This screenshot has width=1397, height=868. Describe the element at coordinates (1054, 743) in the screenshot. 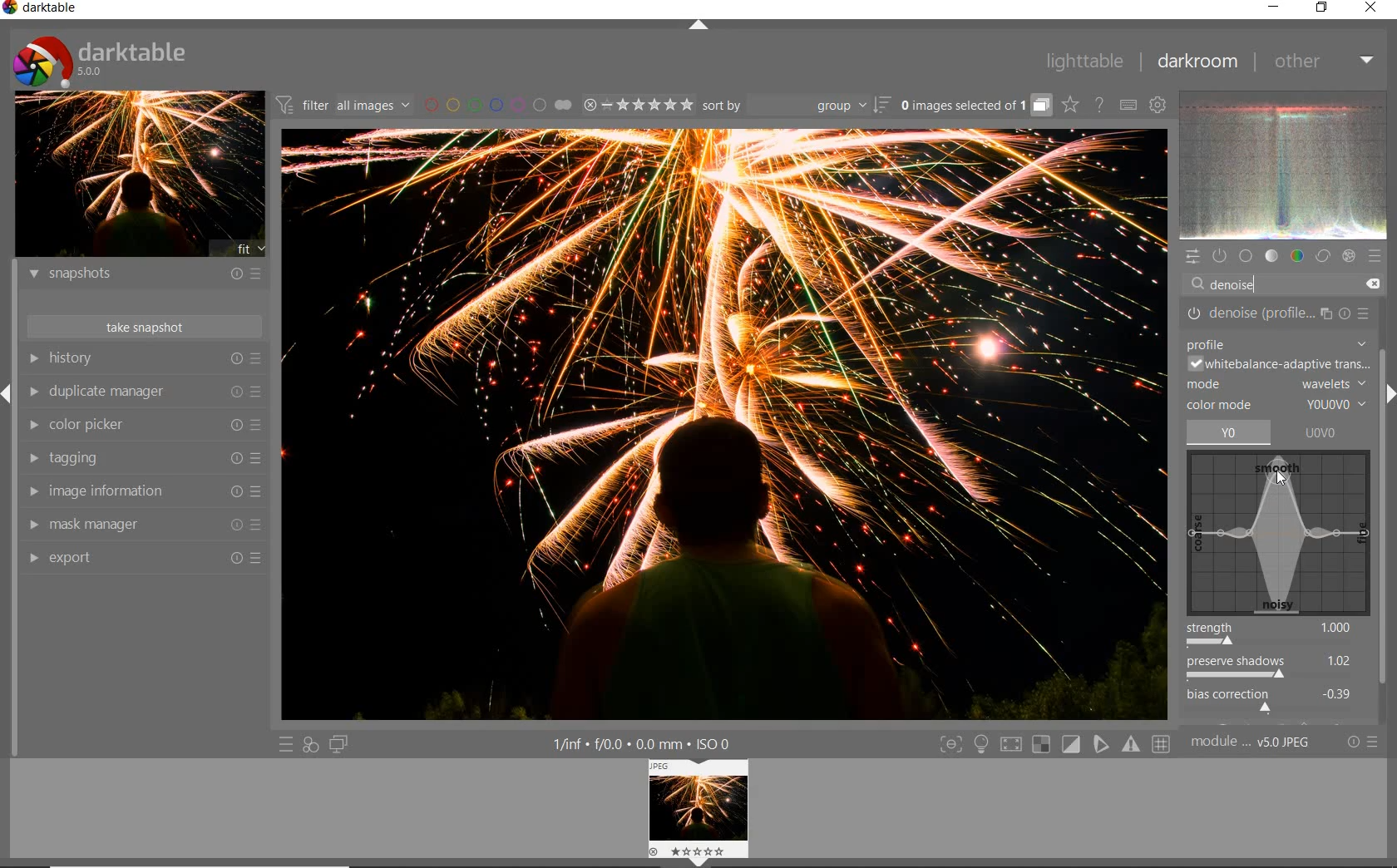

I see `Toggle modes` at that location.